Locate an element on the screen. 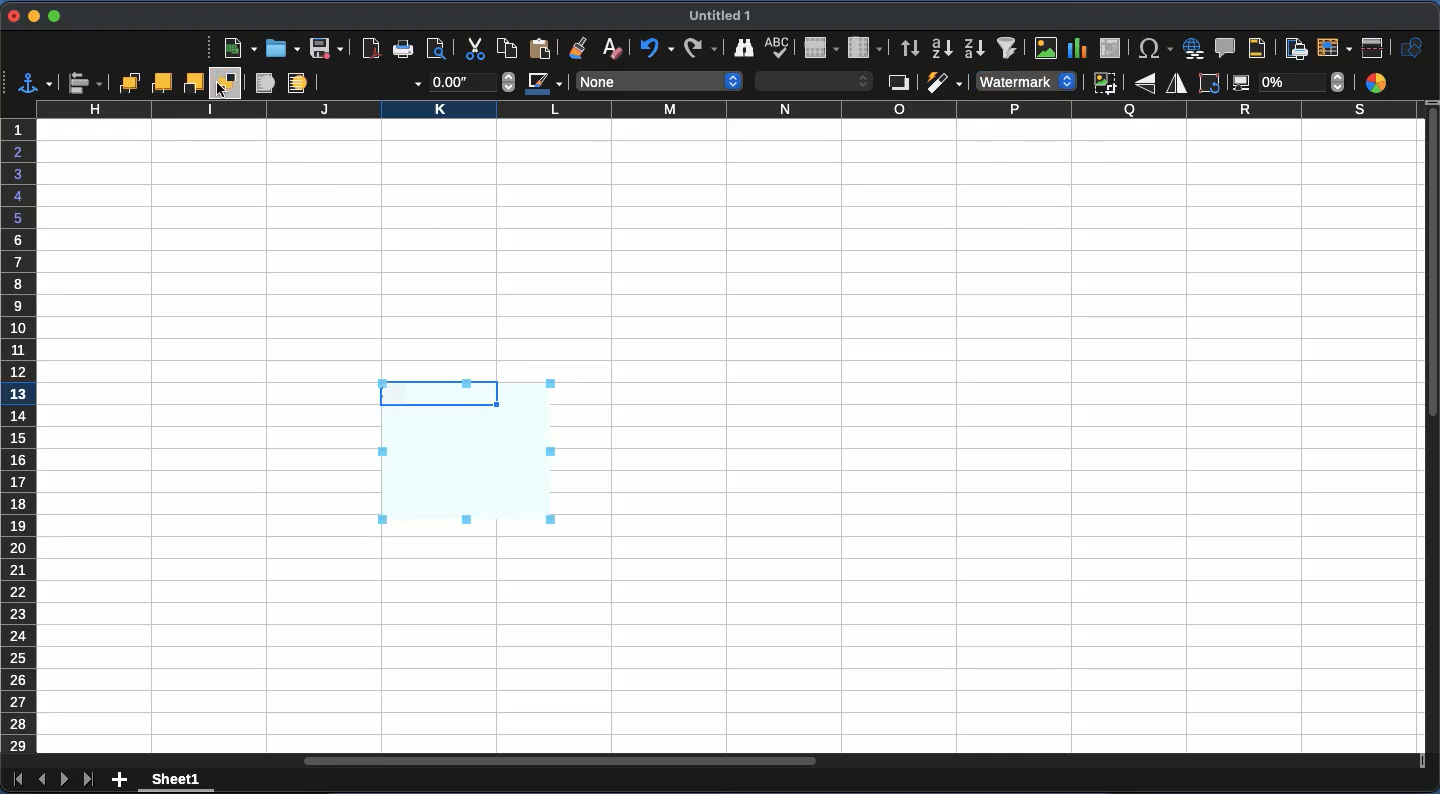 This screenshot has height=794, width=1440. foreground is located at coordinates (263, 84).